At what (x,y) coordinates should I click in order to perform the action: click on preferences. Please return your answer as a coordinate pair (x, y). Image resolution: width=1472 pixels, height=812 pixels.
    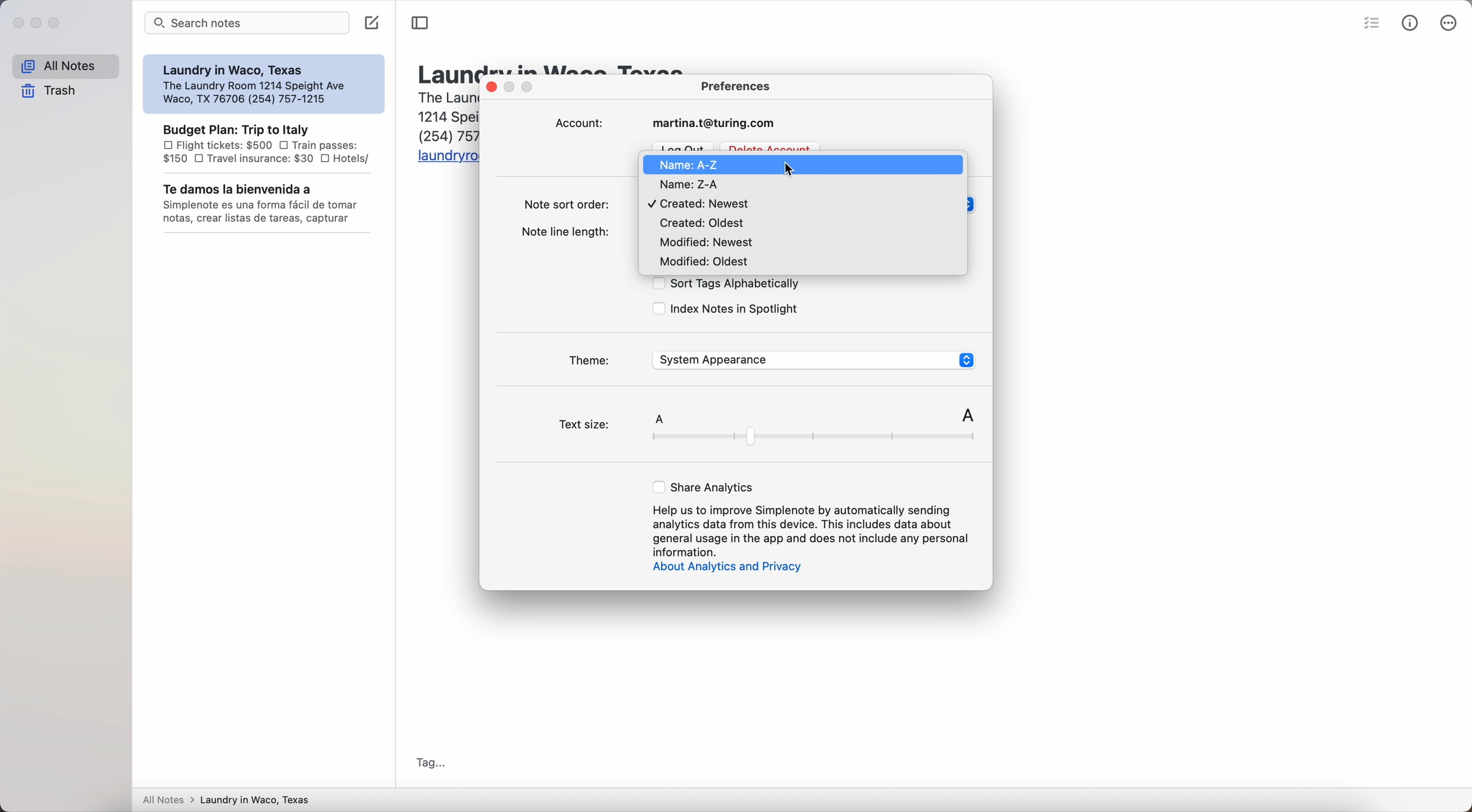
    Looking at the image, I should click on (737, 85).